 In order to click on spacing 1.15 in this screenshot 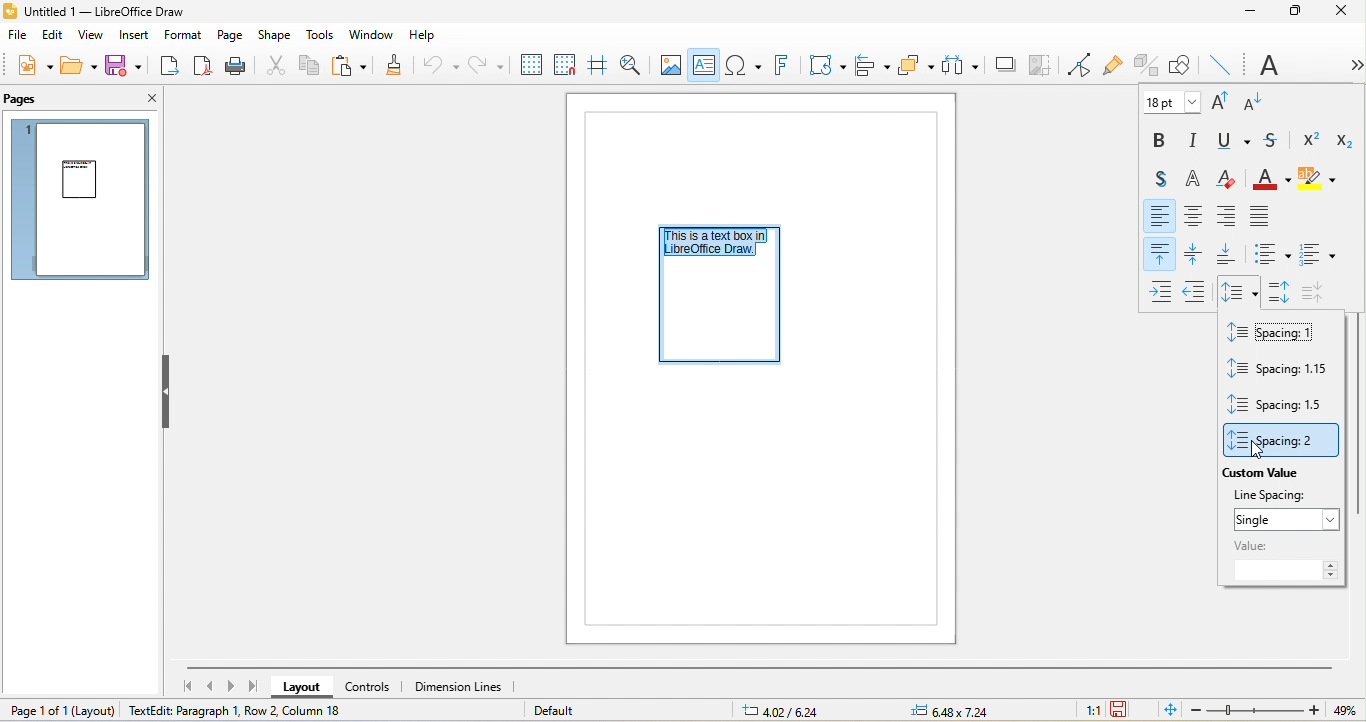, I will do `click(1279, 373)`.